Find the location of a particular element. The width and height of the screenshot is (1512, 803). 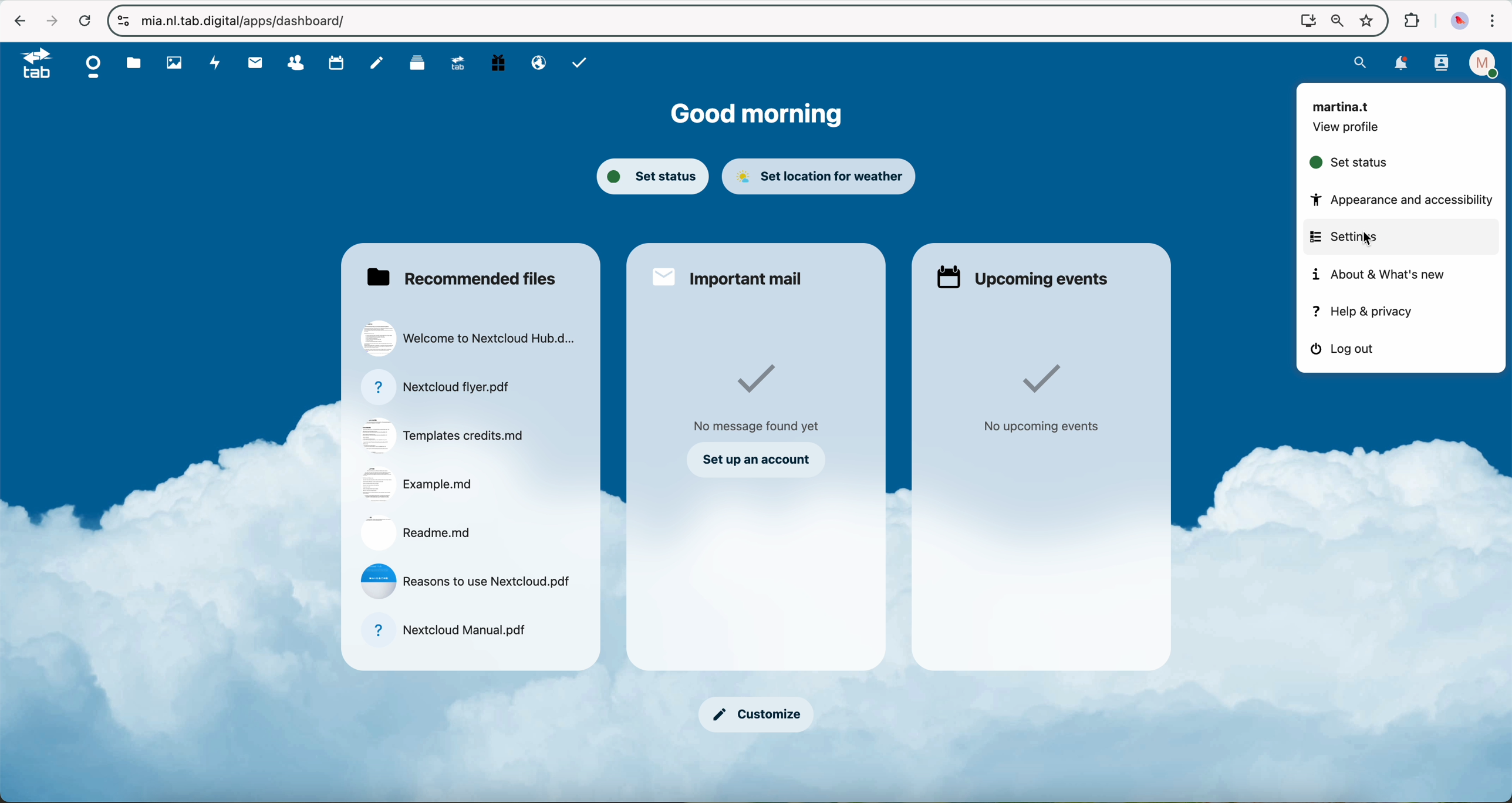

file is located at coordinates (446, 633).